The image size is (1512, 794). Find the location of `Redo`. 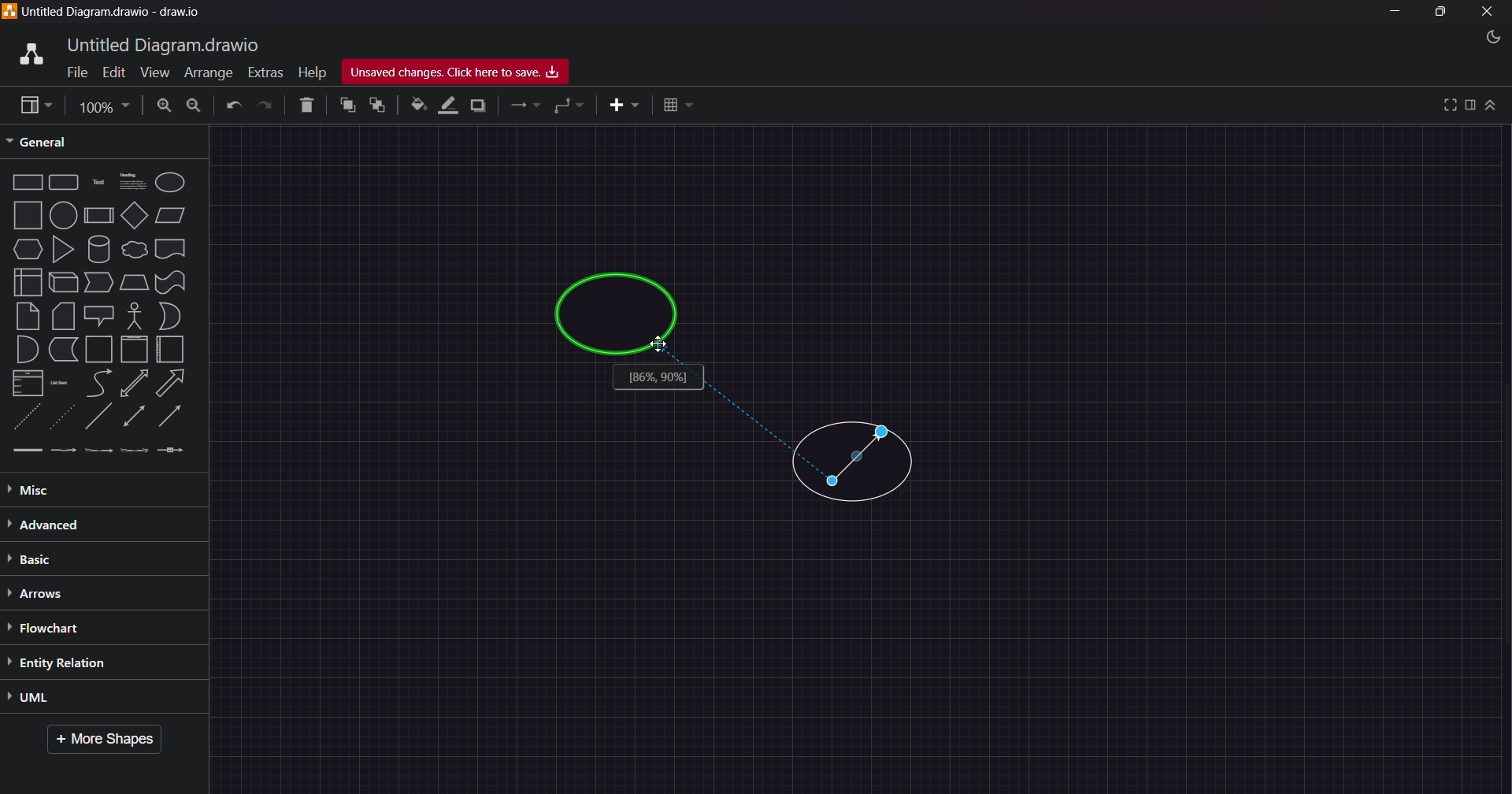

Redo is located at coordinates (267, 106).